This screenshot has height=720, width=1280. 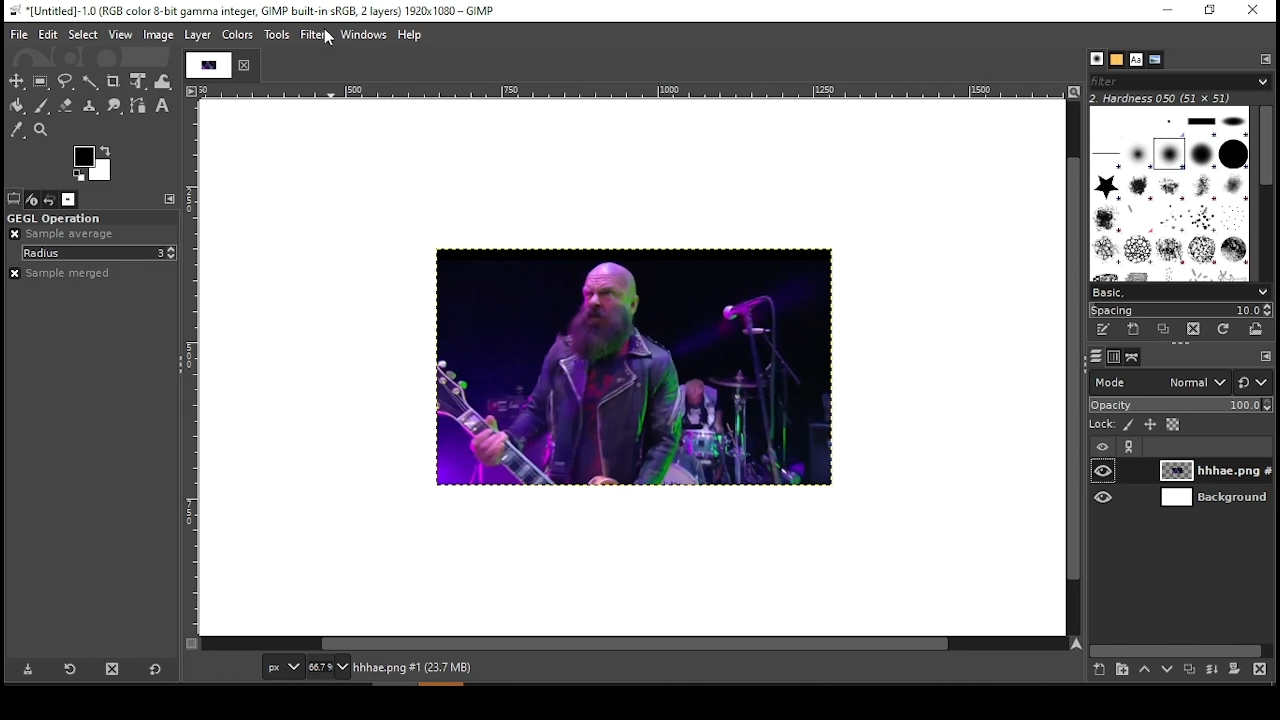 I want to click on minimize, so click(x=1168, y=12).